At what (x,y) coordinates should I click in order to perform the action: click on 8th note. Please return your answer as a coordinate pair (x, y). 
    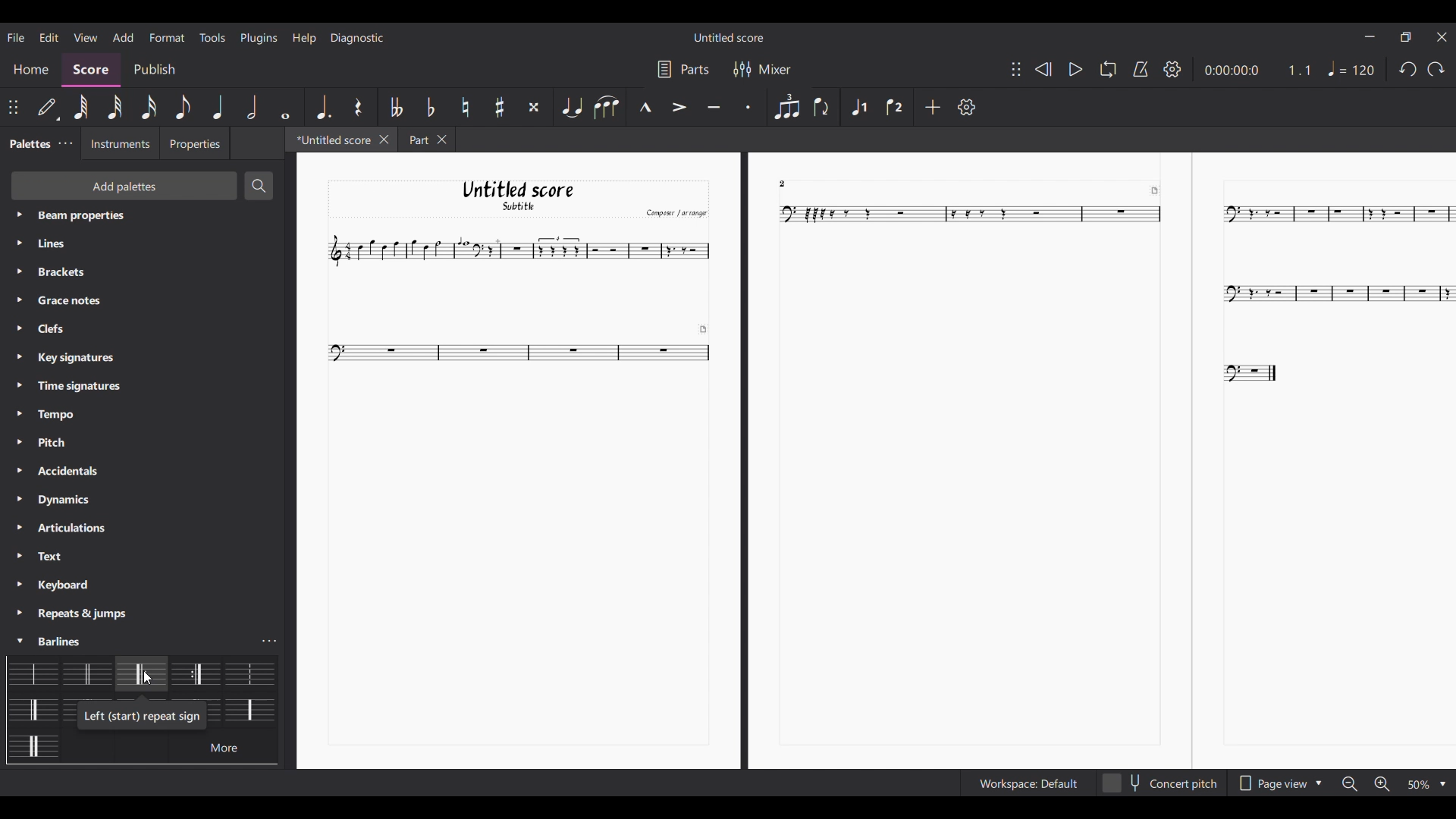
    Looking at the image, I should click on (182, 107).